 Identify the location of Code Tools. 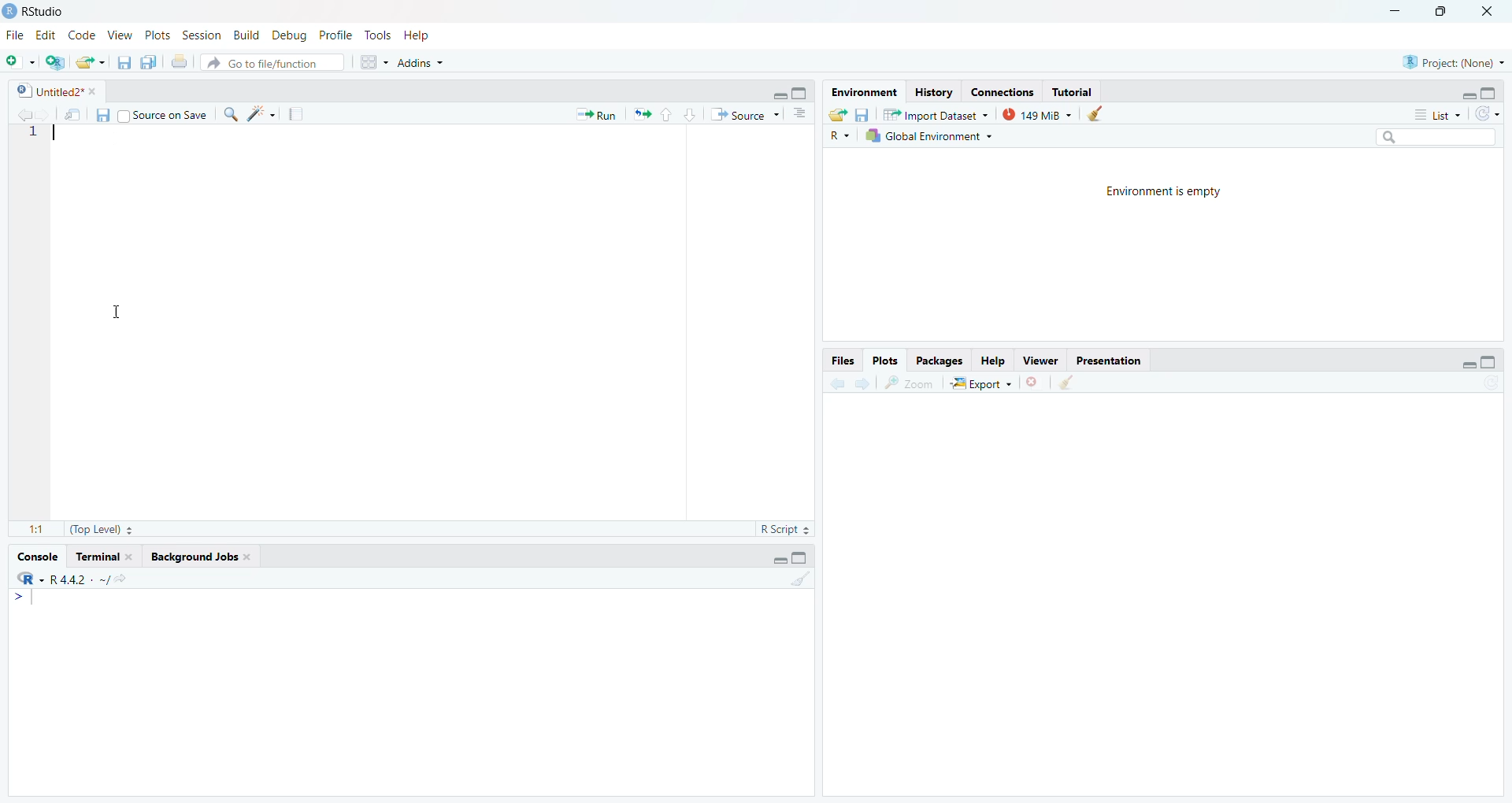
(265, 113).